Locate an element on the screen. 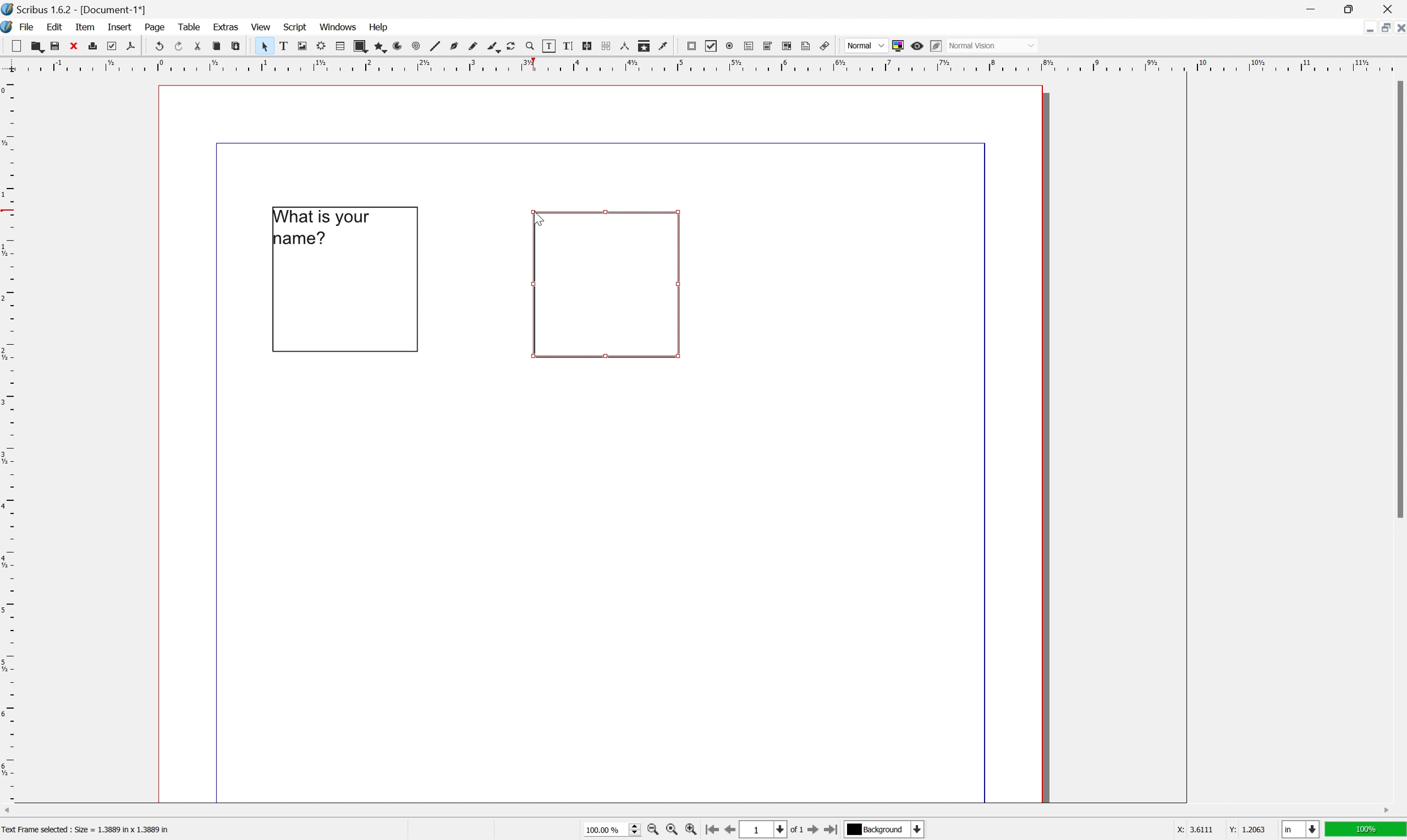  100% is located at coordinates (1367, 832).